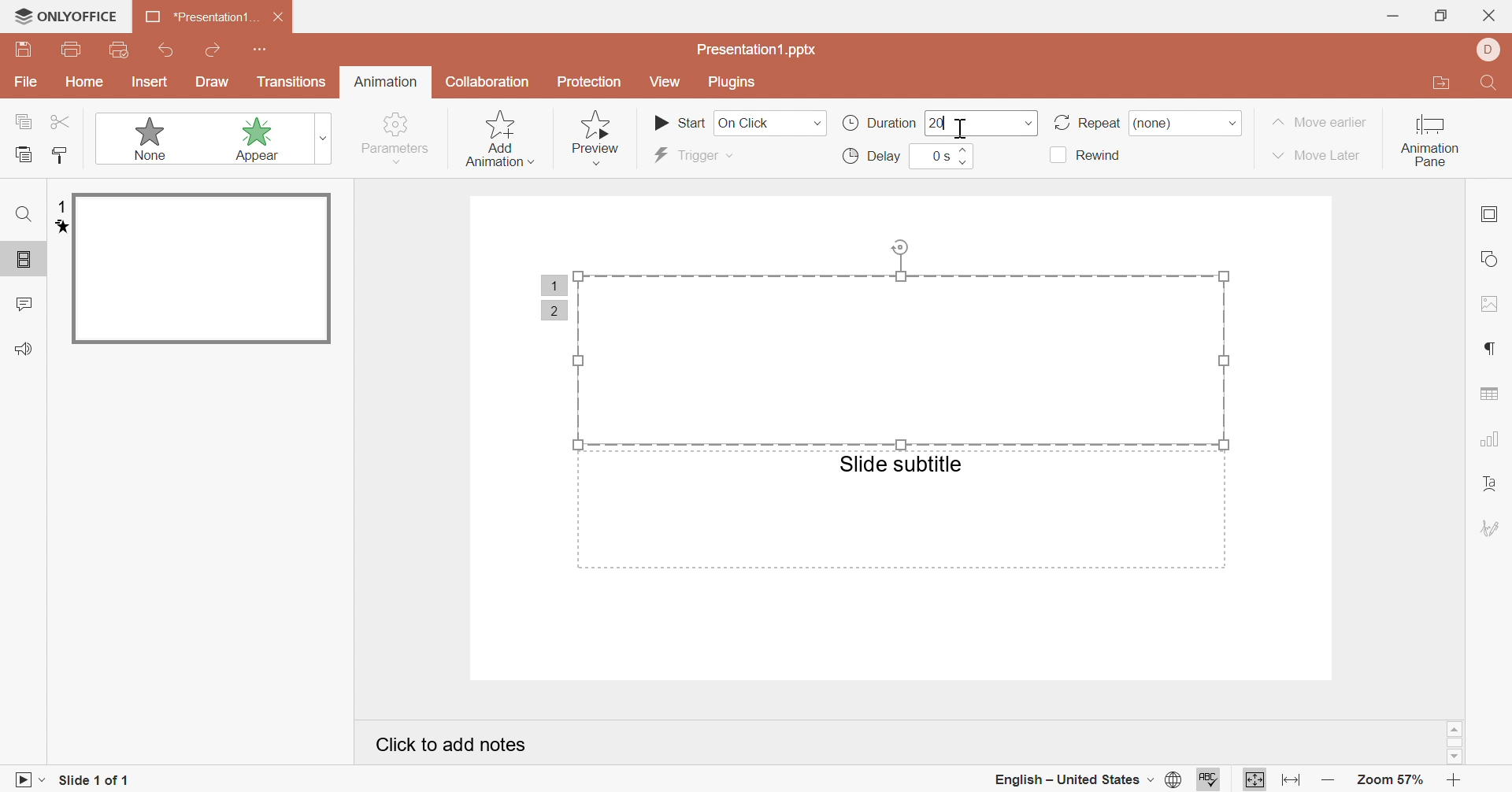 The height and width of the screenshot is (792, 1512). Describe the element at coordinates (939, 155) in the screenshot. I see `0s` at that location.